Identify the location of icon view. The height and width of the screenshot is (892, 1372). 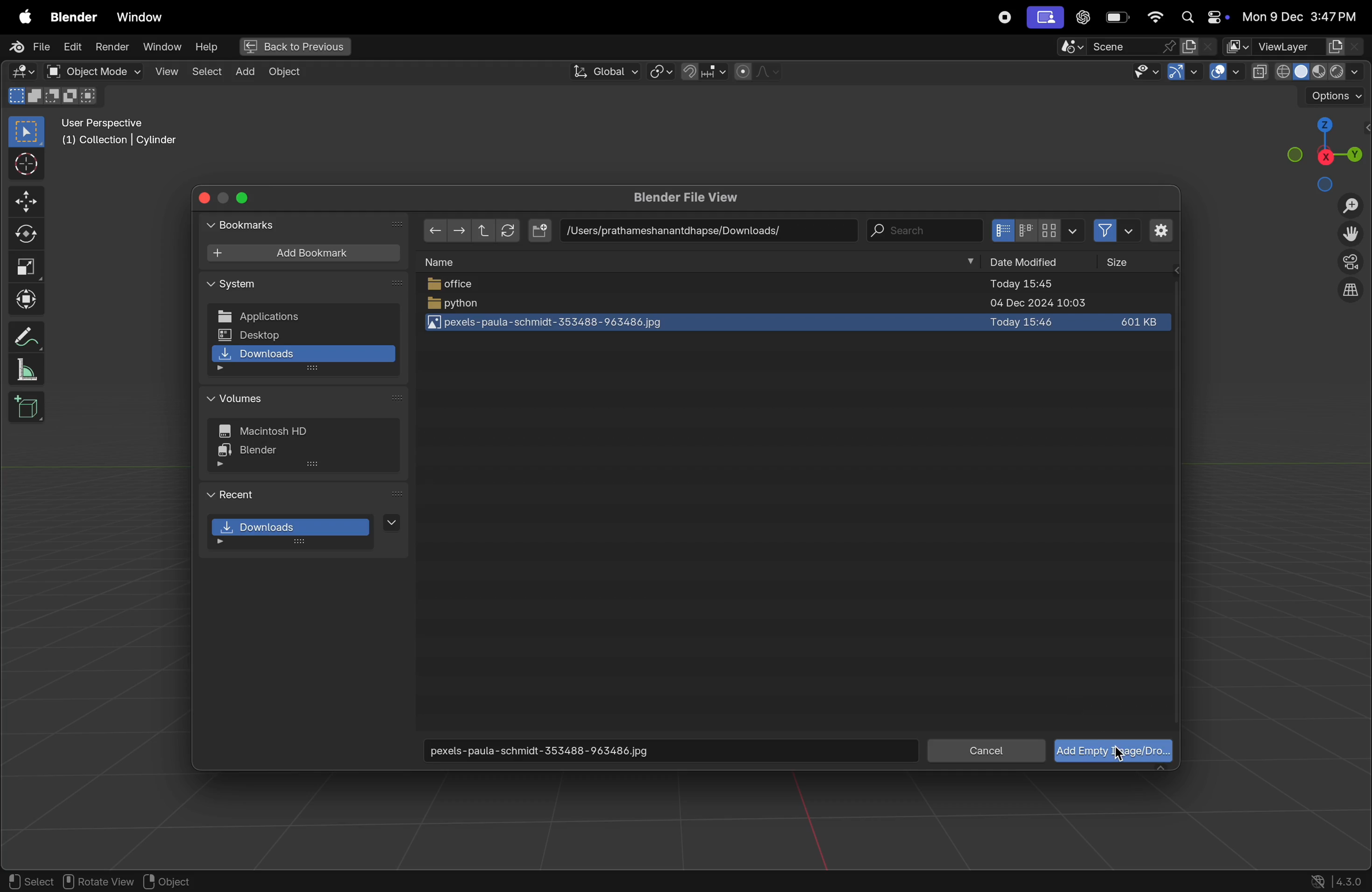
(1037, 230).